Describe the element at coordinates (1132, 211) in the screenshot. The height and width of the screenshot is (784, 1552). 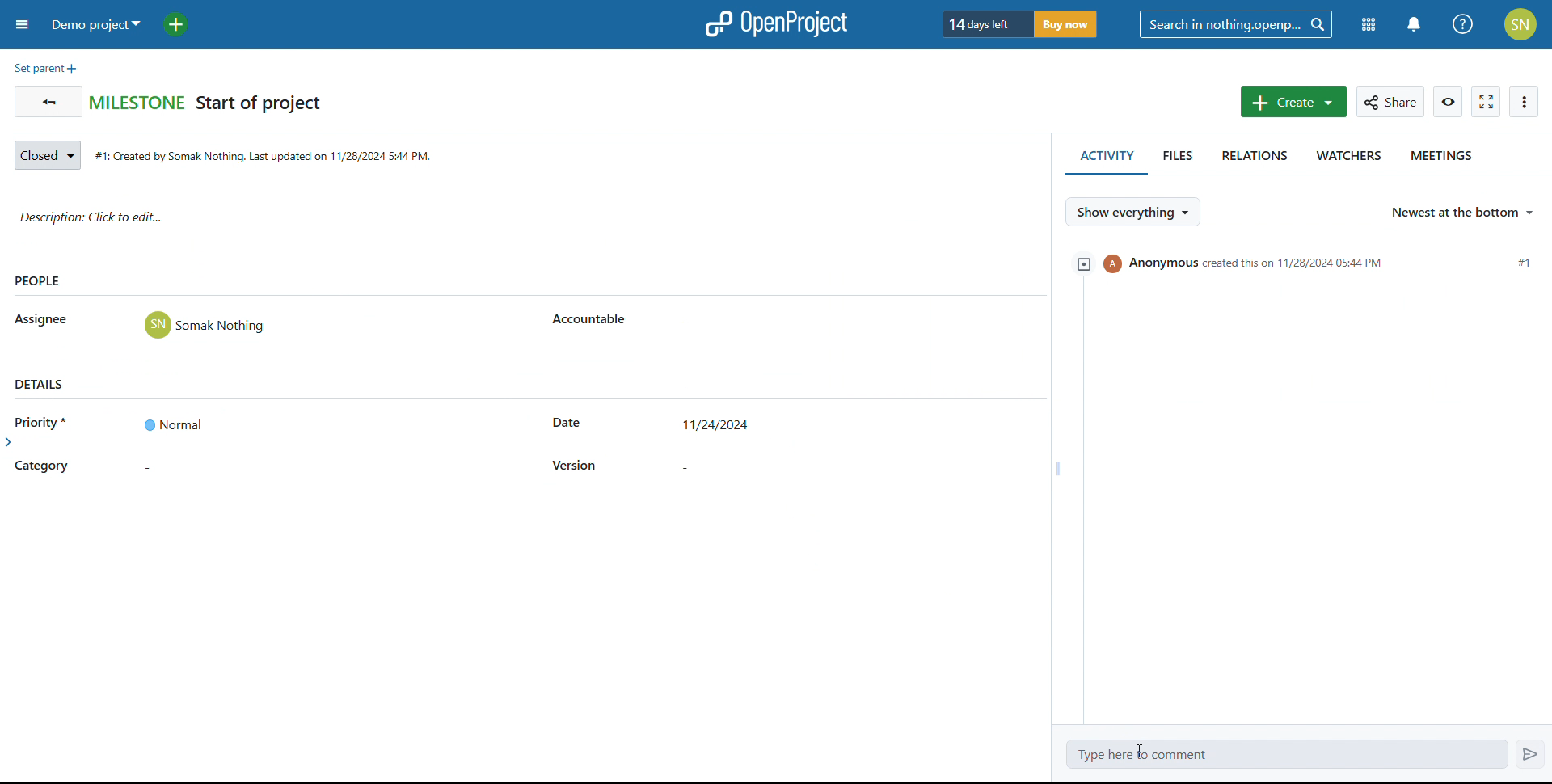
I see `selct what to show` at that location.